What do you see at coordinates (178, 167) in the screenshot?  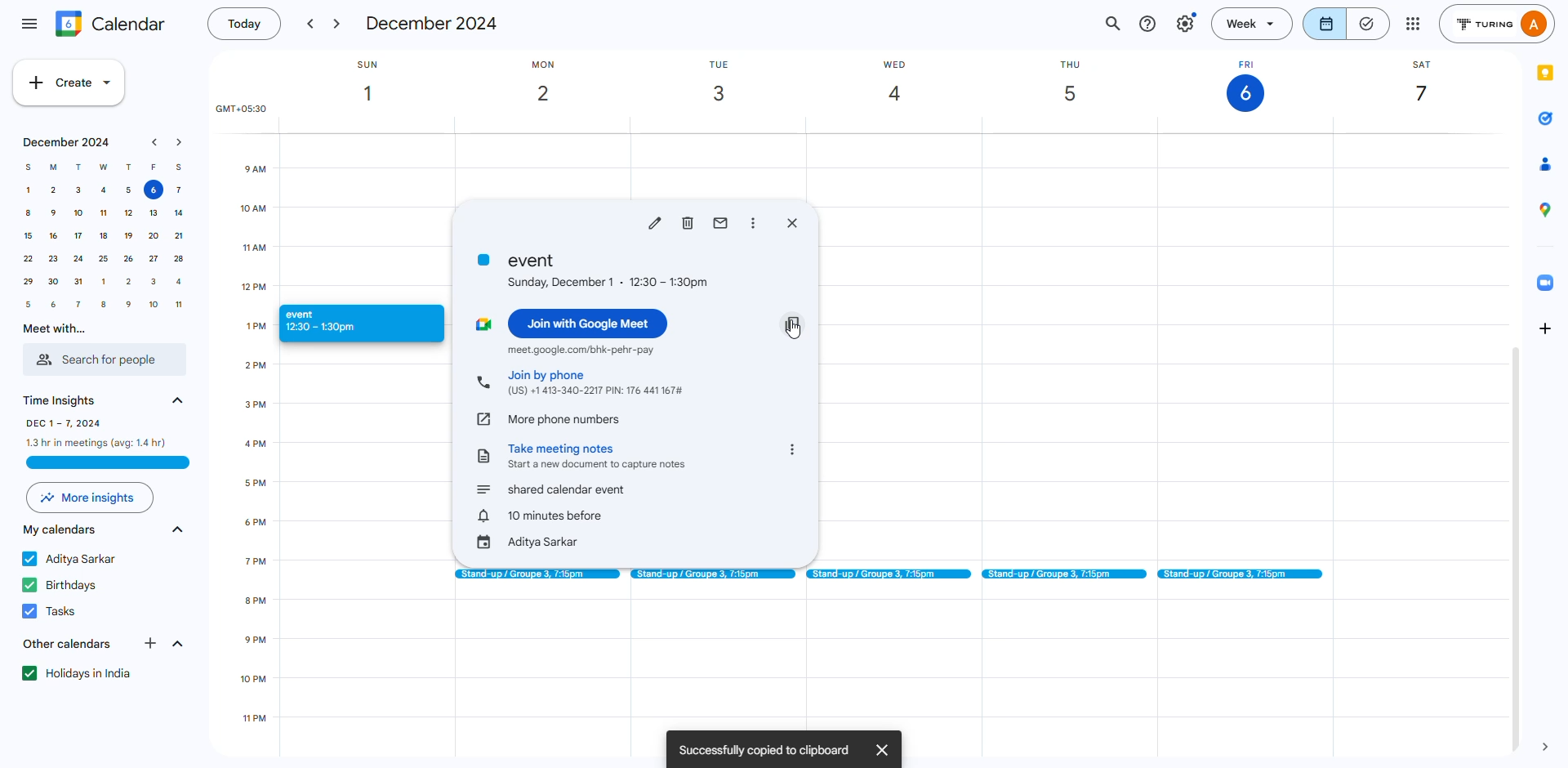 I see `s` at bounding box center [178, 167].